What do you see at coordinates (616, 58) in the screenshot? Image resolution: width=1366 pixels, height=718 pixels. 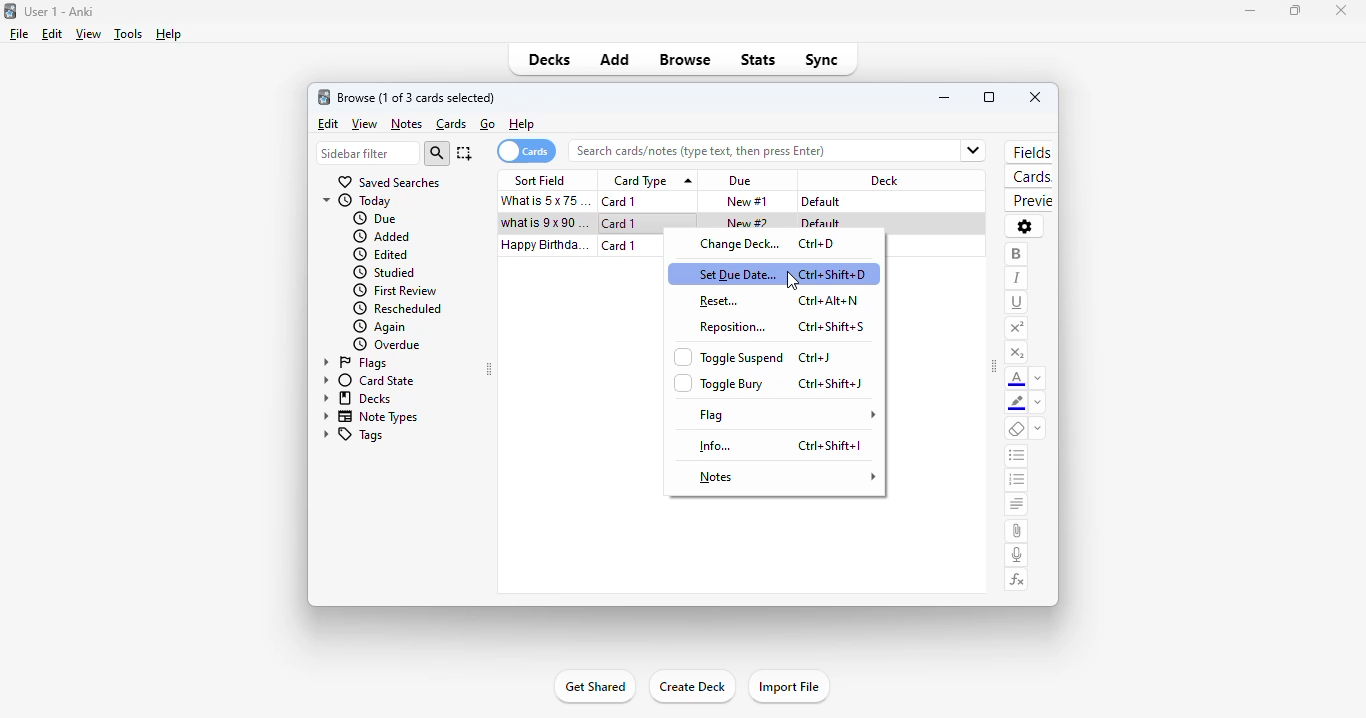 I see `add` at bounding box center [616, 58].